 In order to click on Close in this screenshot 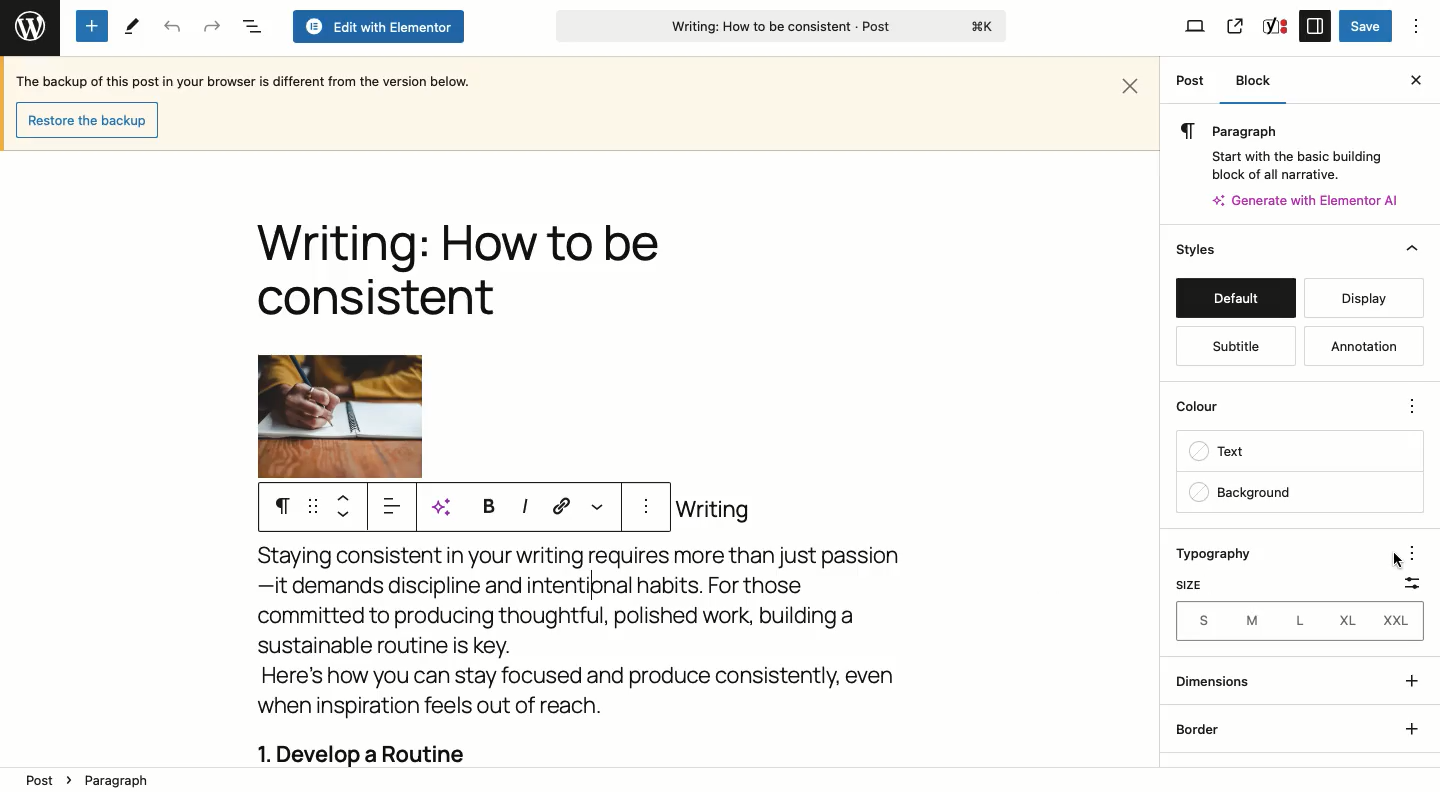, I will do `click(1132, 83)`.